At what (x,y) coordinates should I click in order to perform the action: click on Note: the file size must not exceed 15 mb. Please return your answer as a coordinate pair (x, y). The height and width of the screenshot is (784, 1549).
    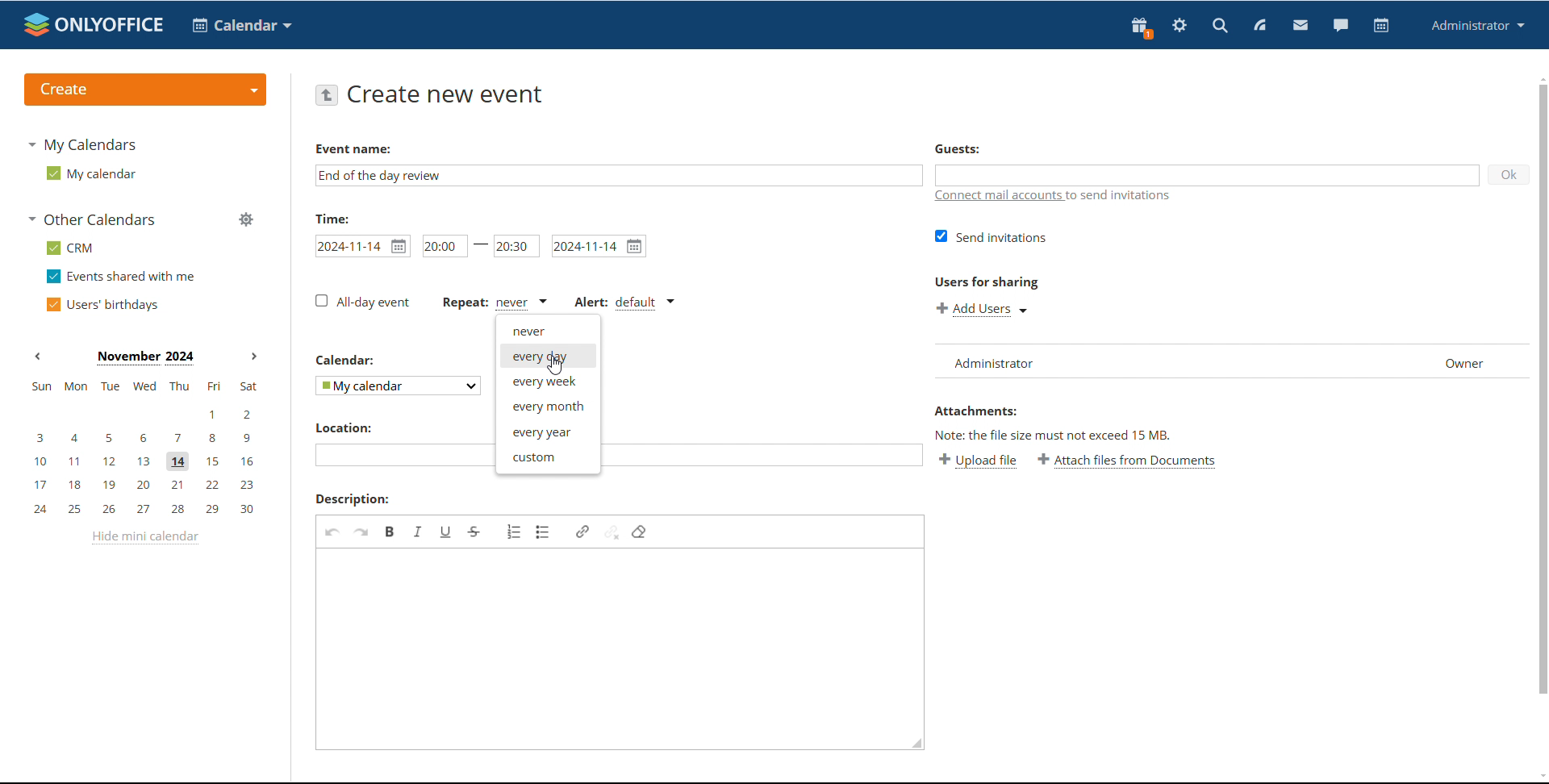
    Looking at the image, I should click on (1054, 435).